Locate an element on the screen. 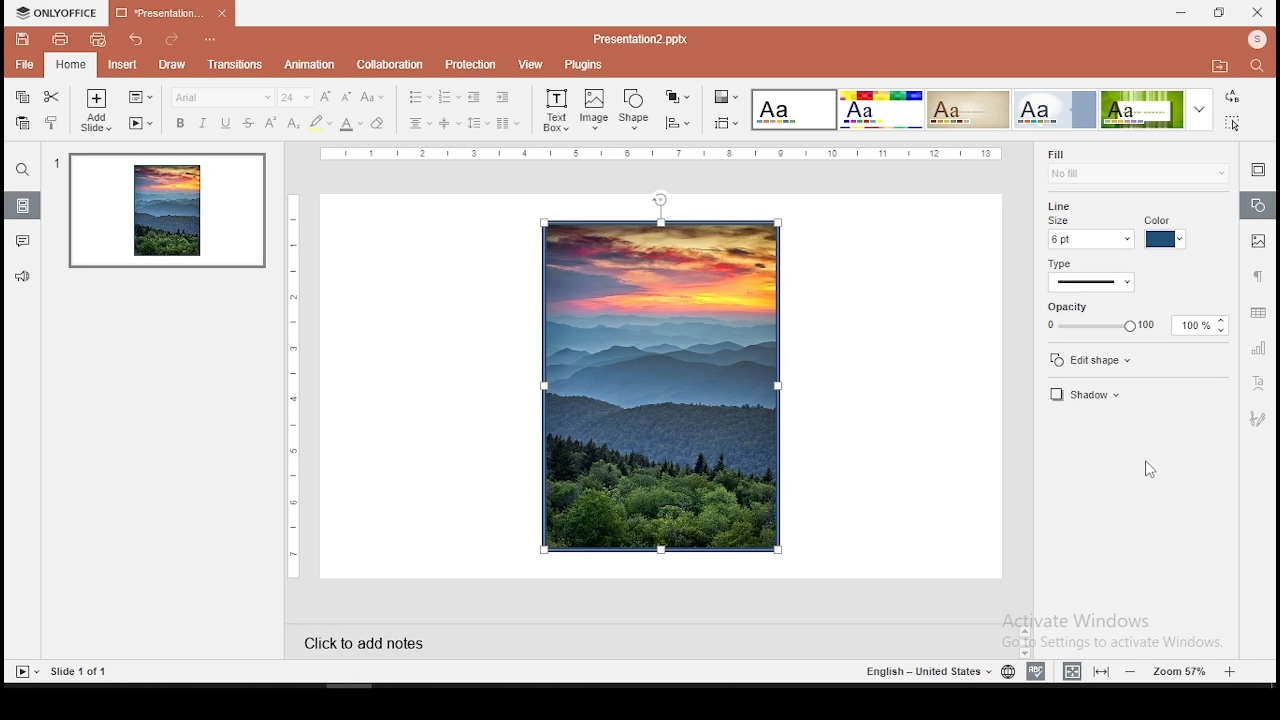 This screenshot has height=720, width=1280. vertical scale is located at coordinates (297, 383).